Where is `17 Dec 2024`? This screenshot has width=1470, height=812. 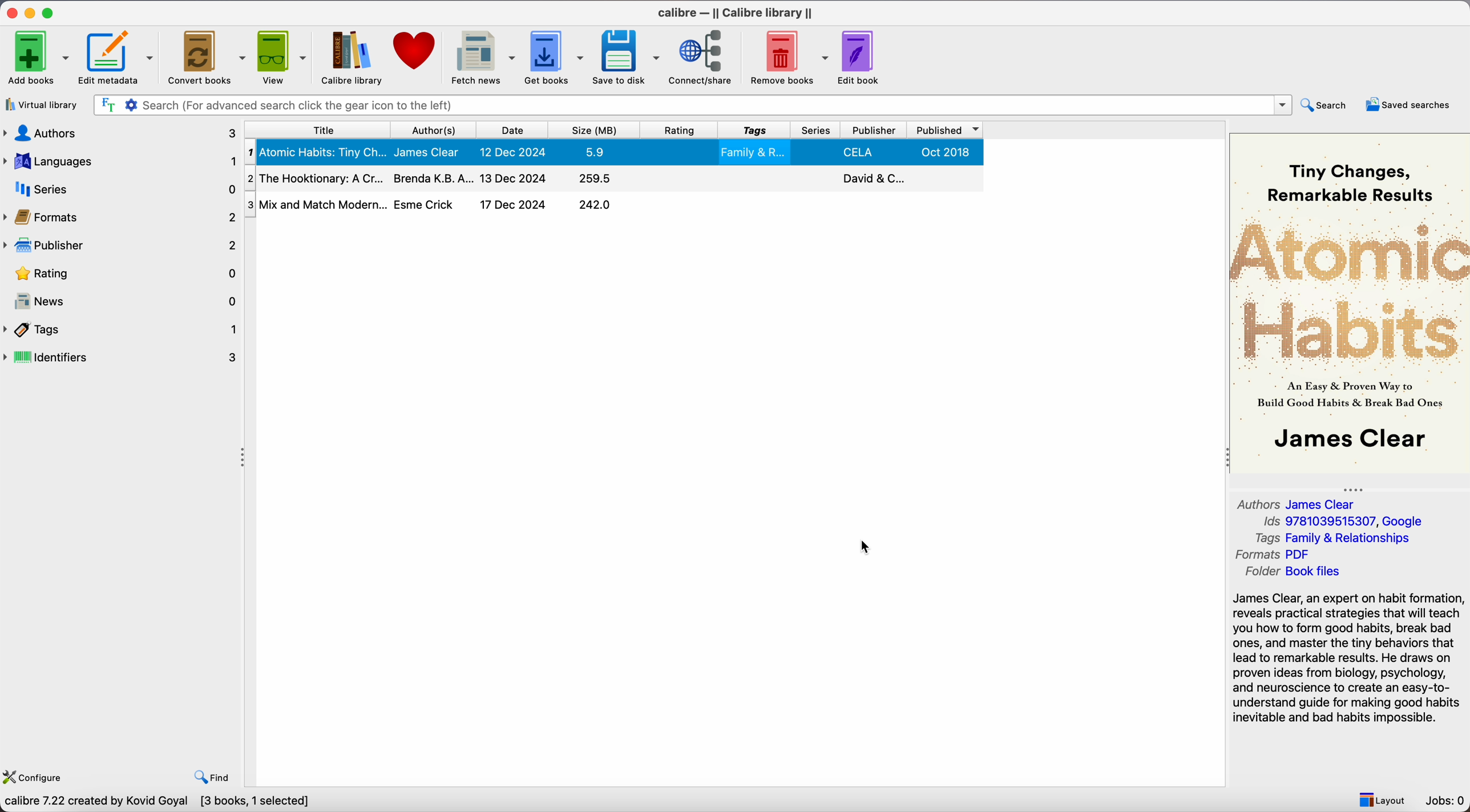
17 Dec 2024 is located at coordinates (515, 205).